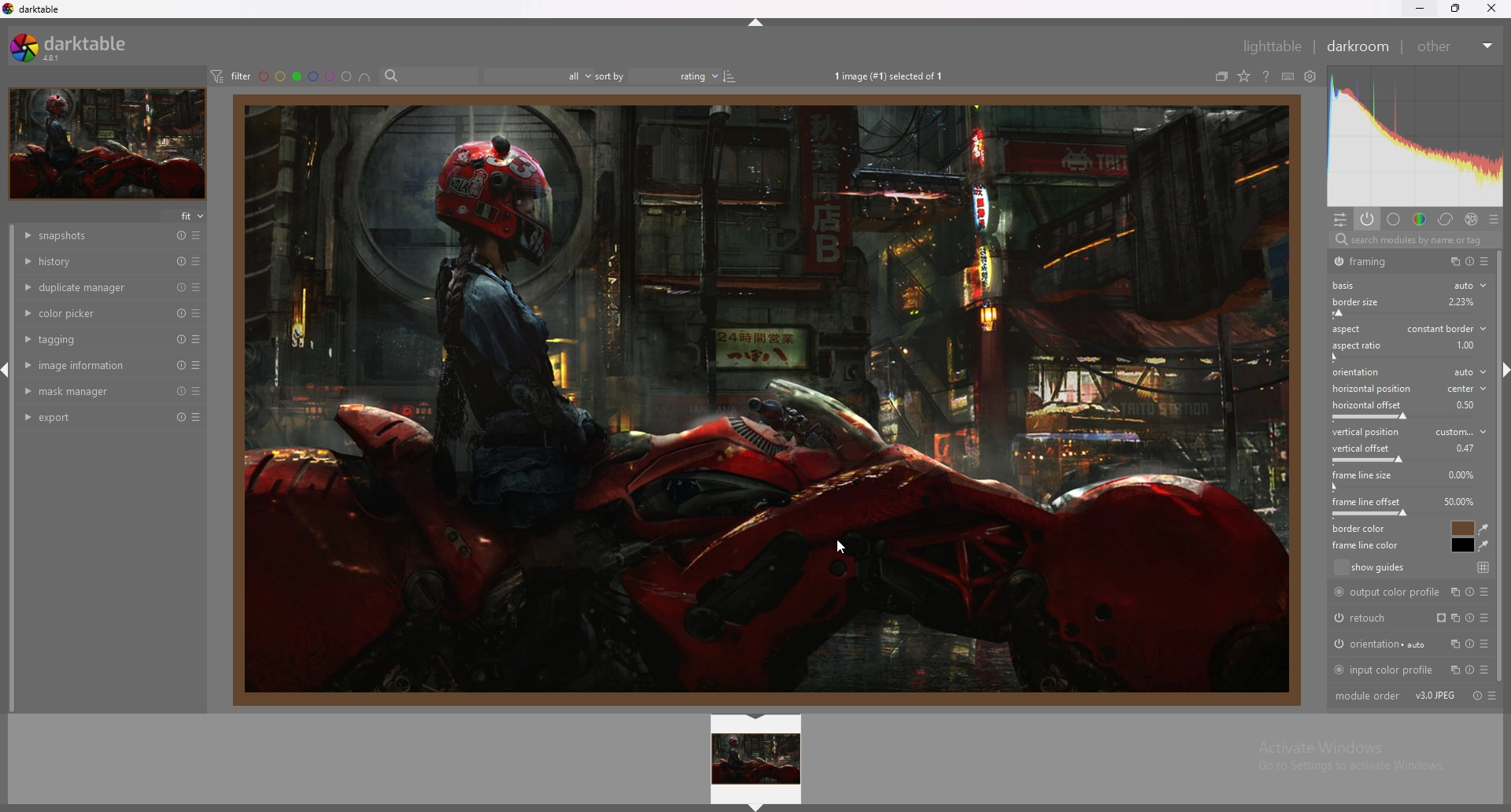  I want to click on close, so click(1491, 9).